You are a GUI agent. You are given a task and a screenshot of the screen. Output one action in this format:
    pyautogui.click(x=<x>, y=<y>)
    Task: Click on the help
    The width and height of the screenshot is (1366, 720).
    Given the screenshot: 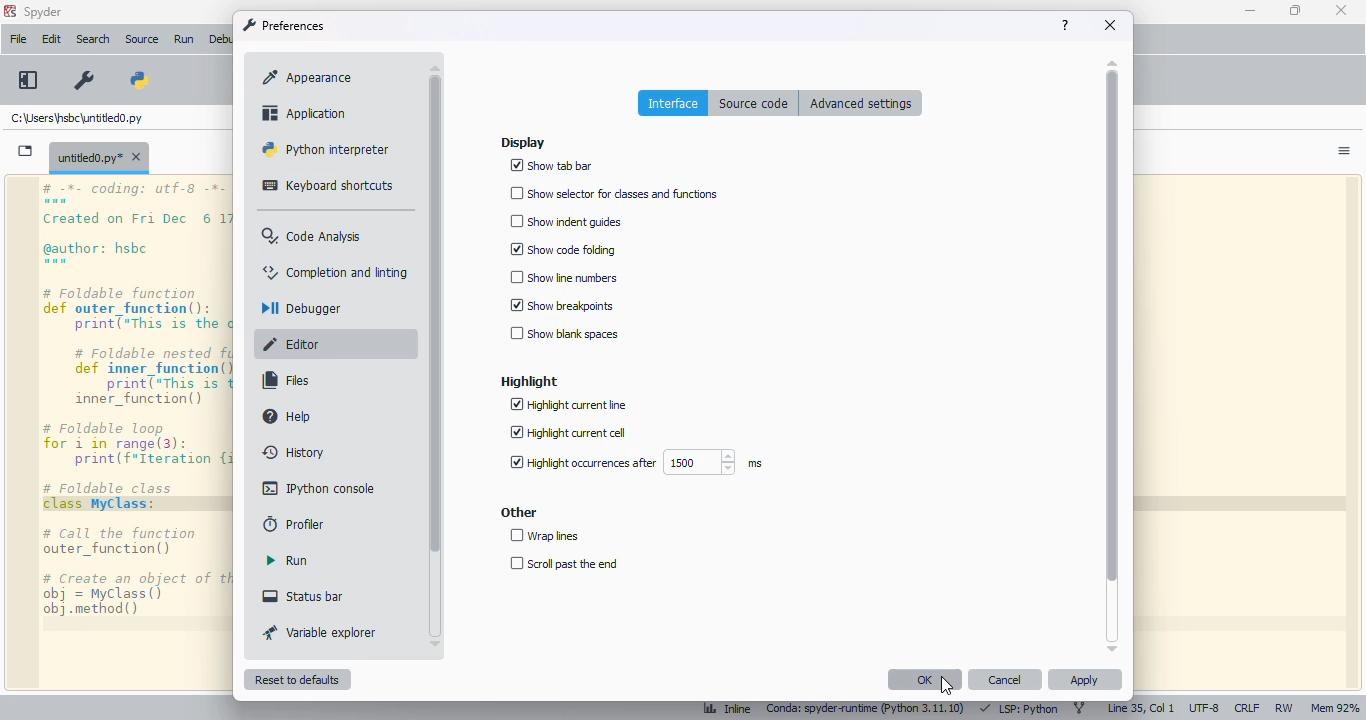 What is the action you would take?
    pyautogui.click(x=289, y=416)
    